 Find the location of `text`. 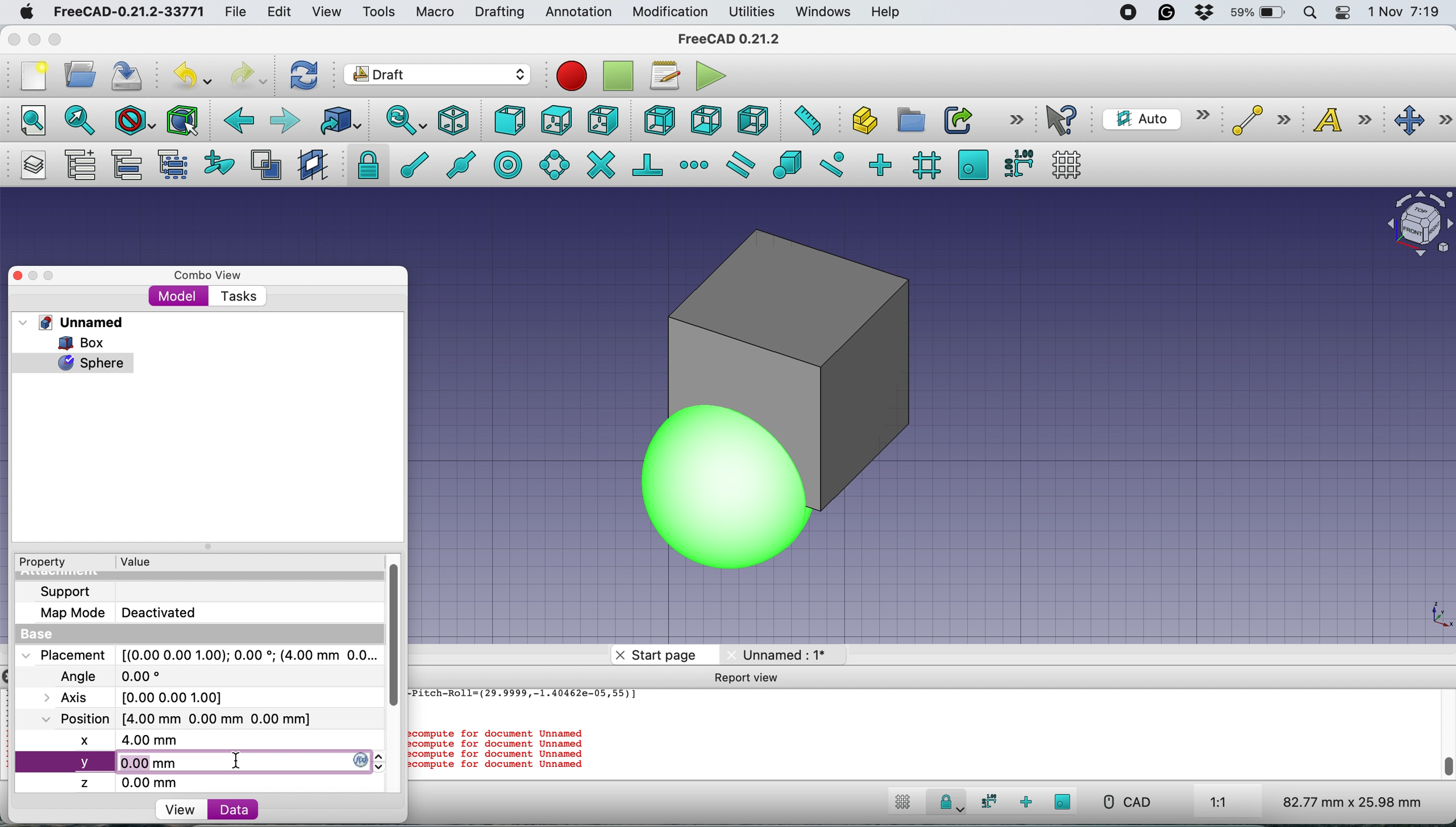

text is located at coordinates (1349, 119).